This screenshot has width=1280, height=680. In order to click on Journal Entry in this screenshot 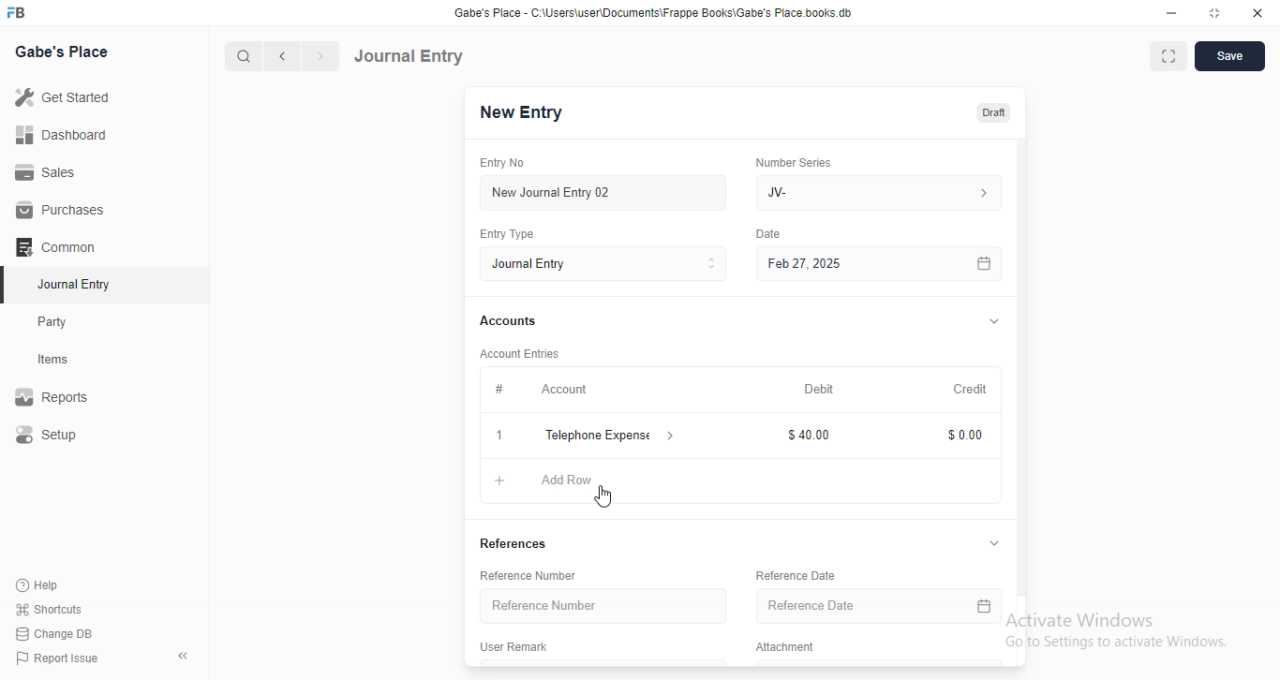, I will do `click(412, 55)`.